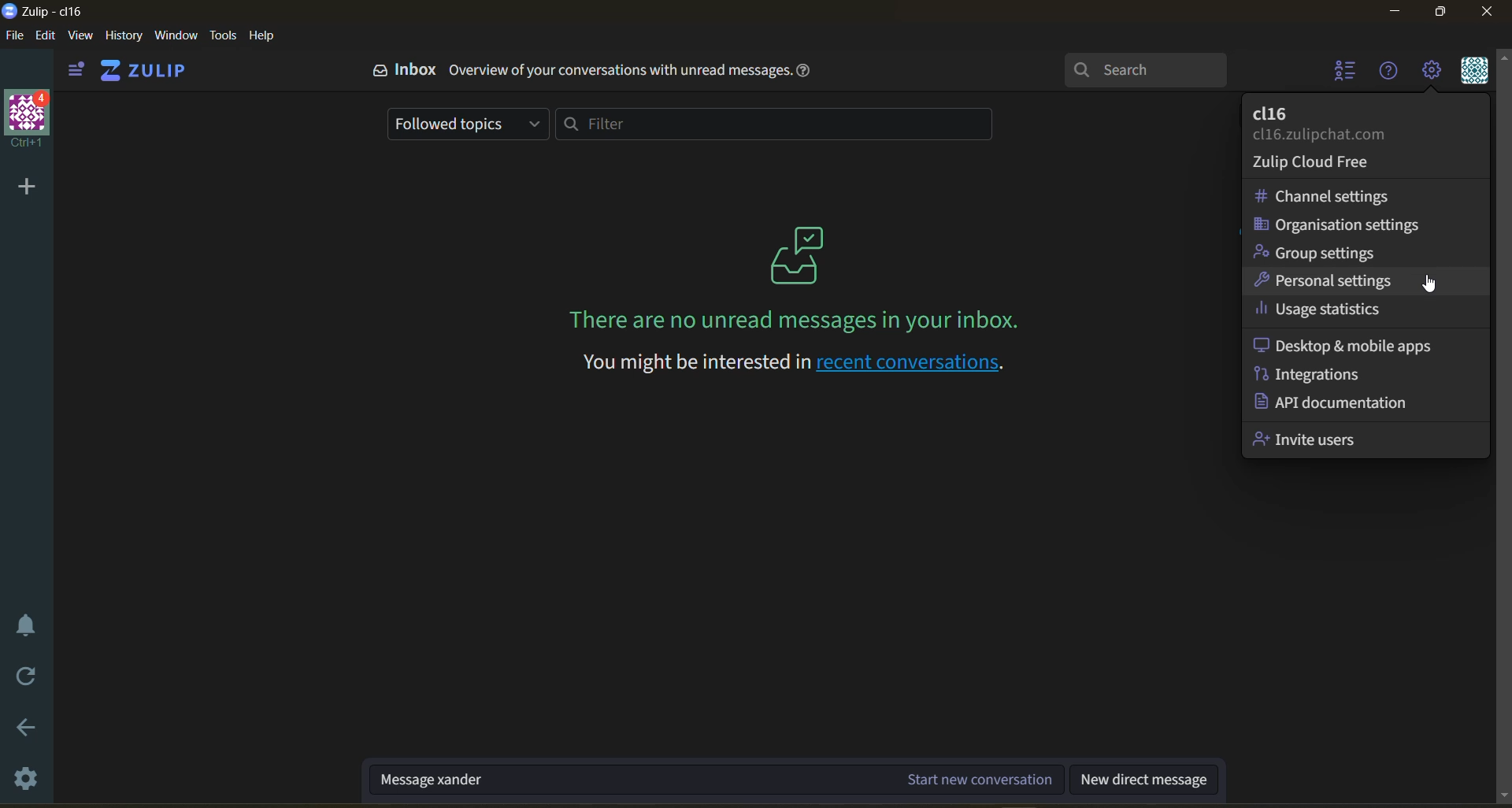  I want to click on new direct message, so click(1146, 780).